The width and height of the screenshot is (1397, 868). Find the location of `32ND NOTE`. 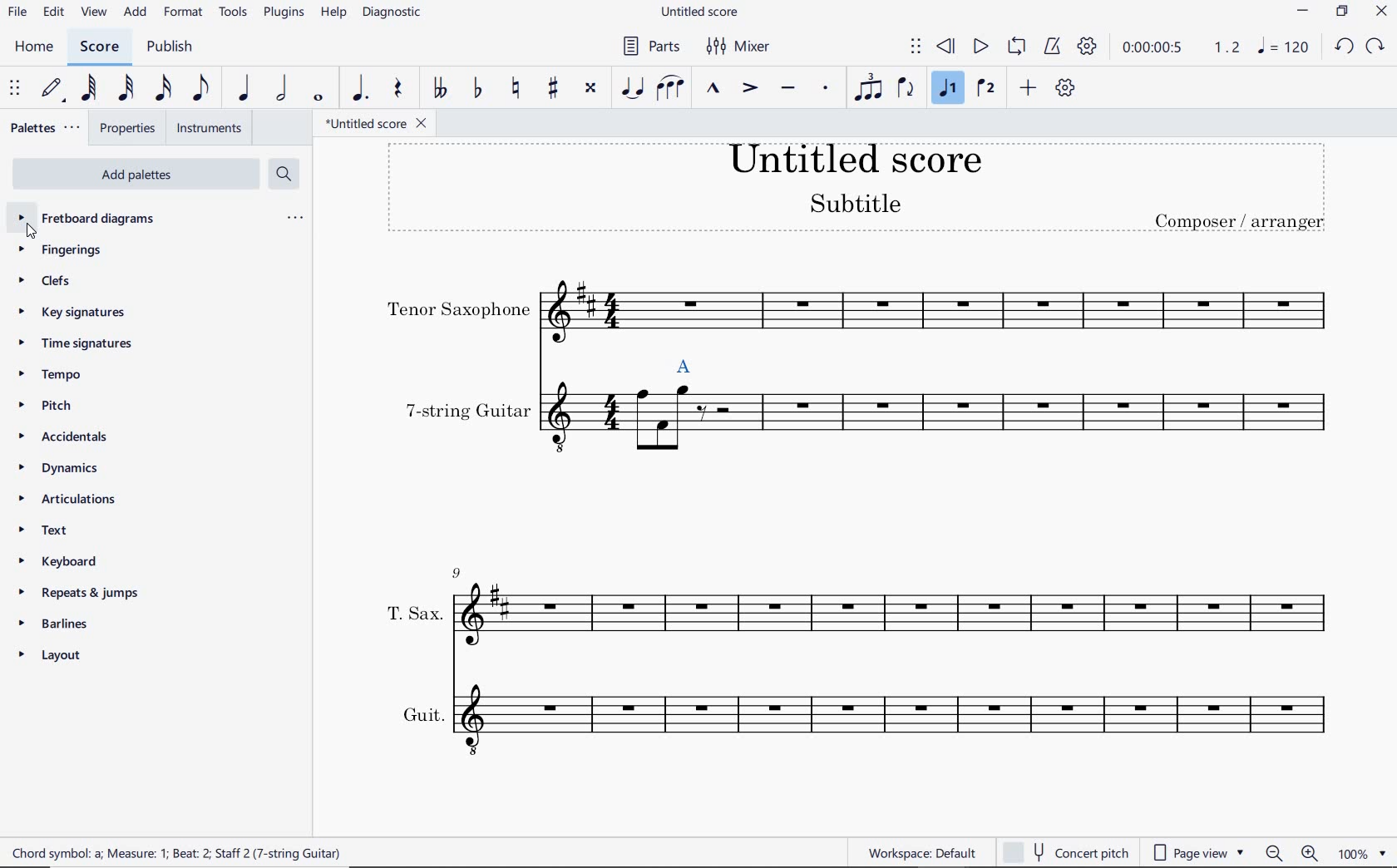

32ND NOTE is located at coordinates (126, 89).